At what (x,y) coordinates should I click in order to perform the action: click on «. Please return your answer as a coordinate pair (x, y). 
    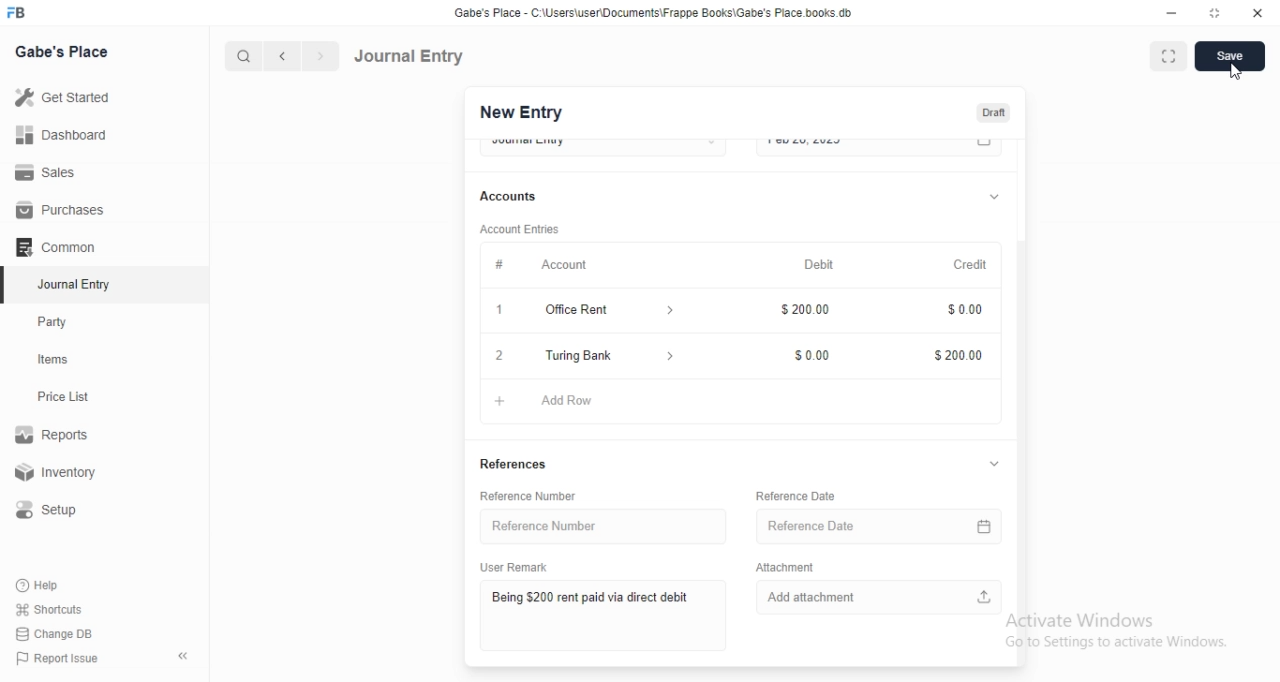
    Looking at the image, I should click on (185, 657).